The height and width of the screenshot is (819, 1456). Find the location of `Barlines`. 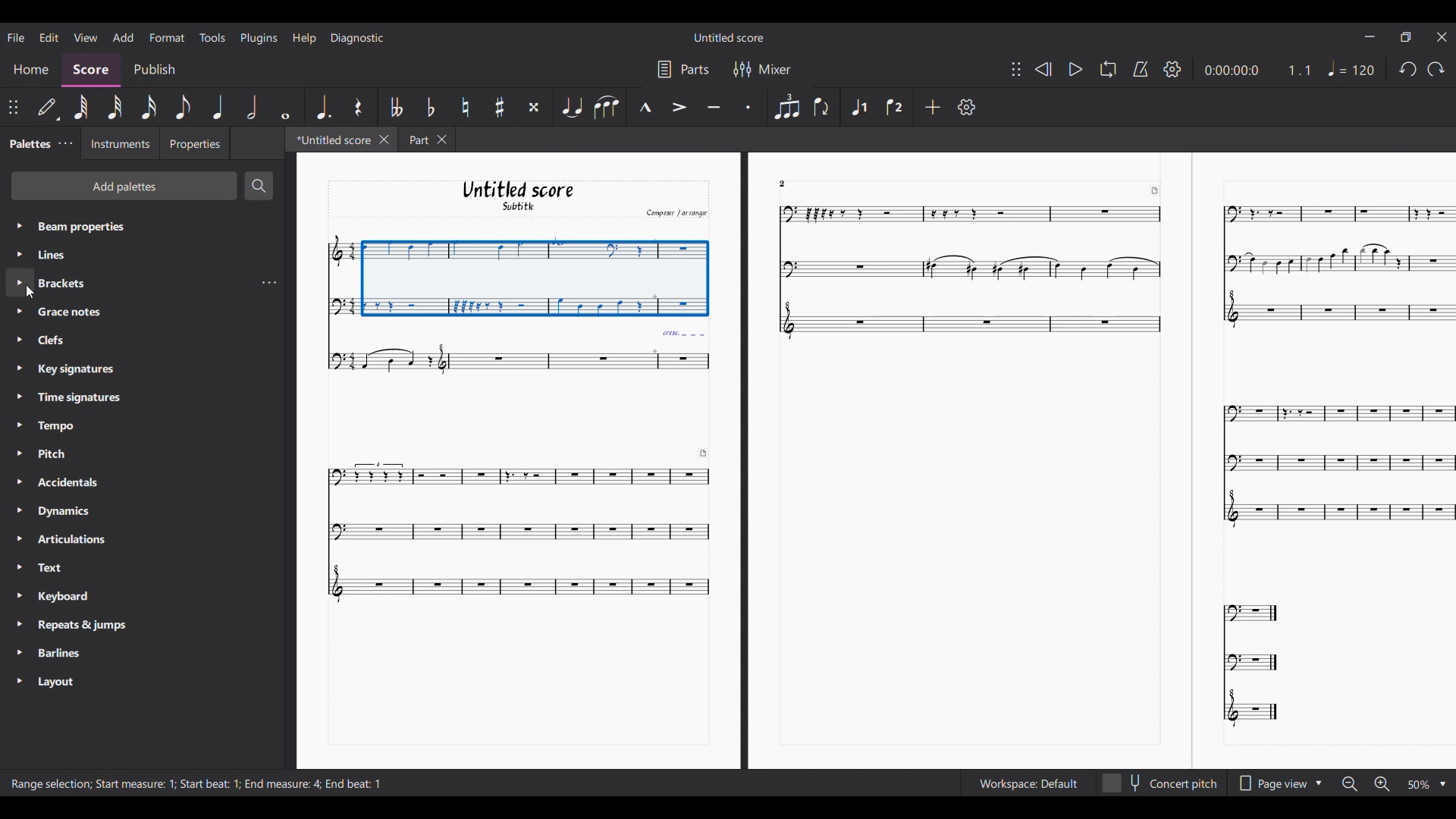

Barlines is located at coordinates (62, 654).